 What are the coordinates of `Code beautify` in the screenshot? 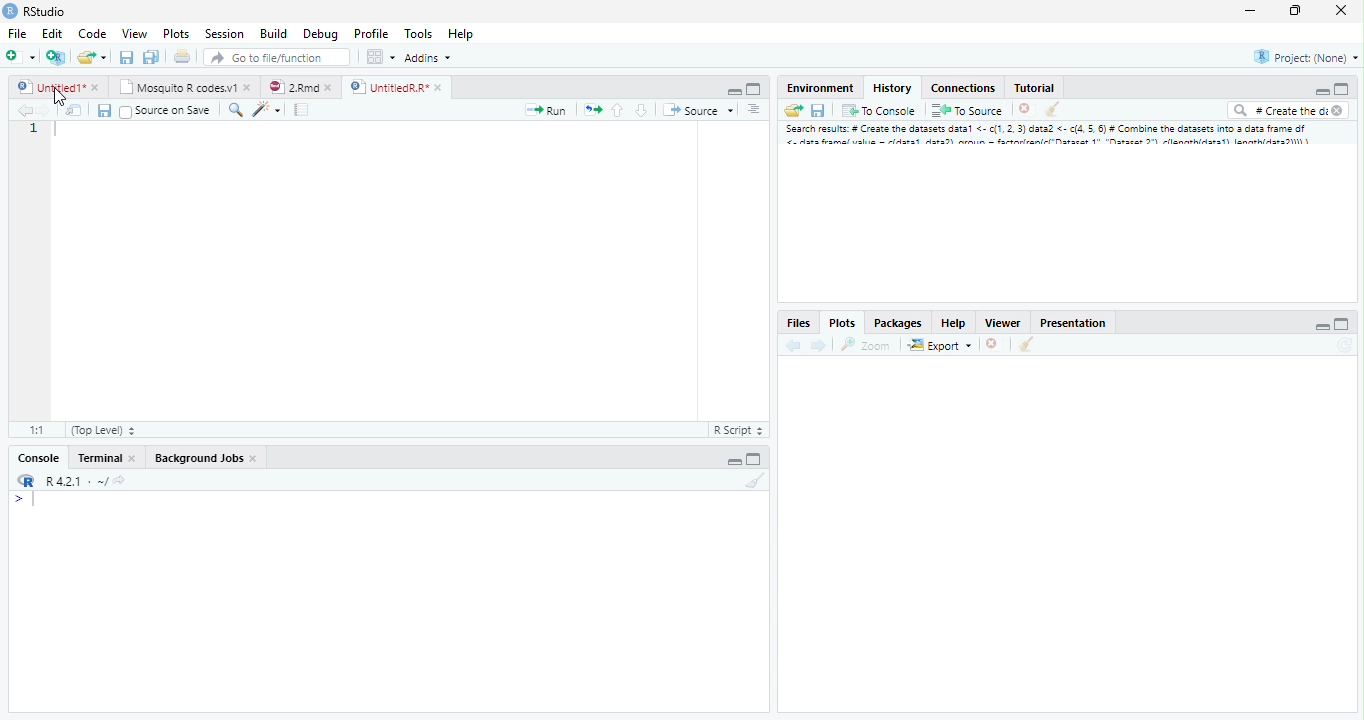 It's located at (269, 110).